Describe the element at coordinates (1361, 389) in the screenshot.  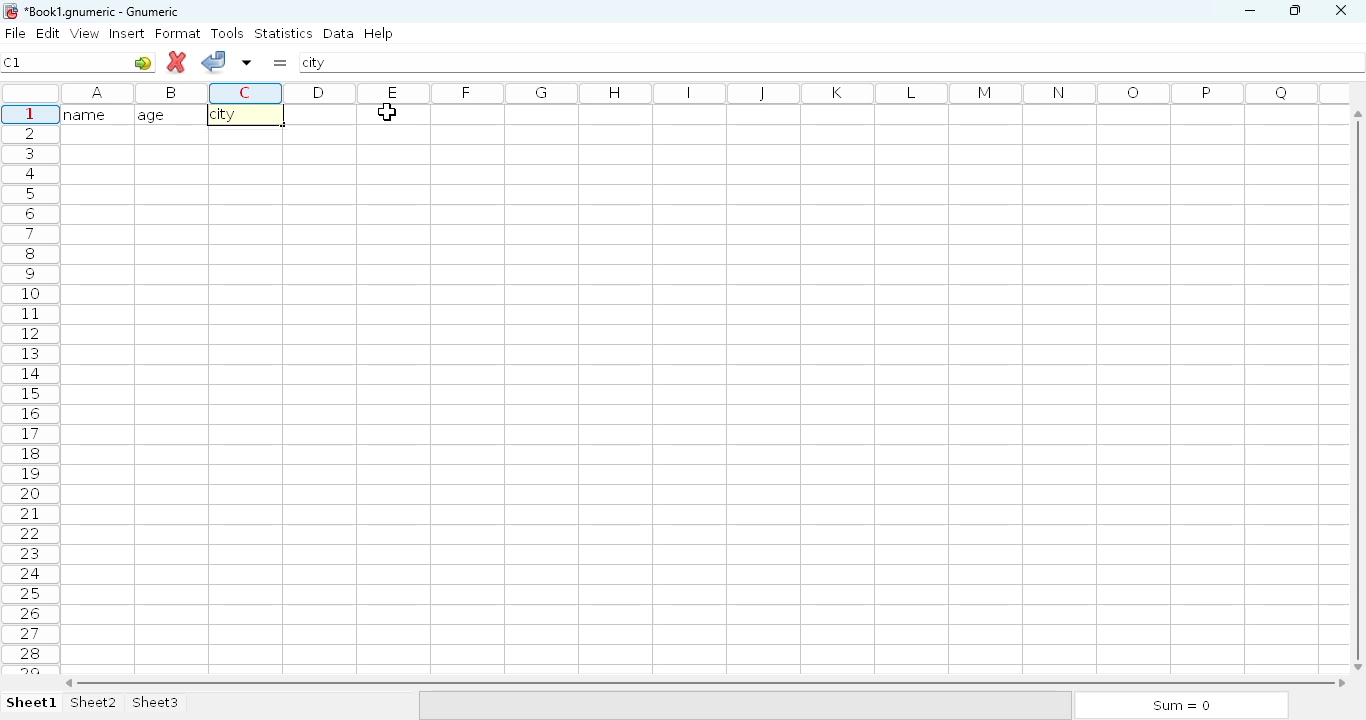
I see `vertical scroll bar` at that location.